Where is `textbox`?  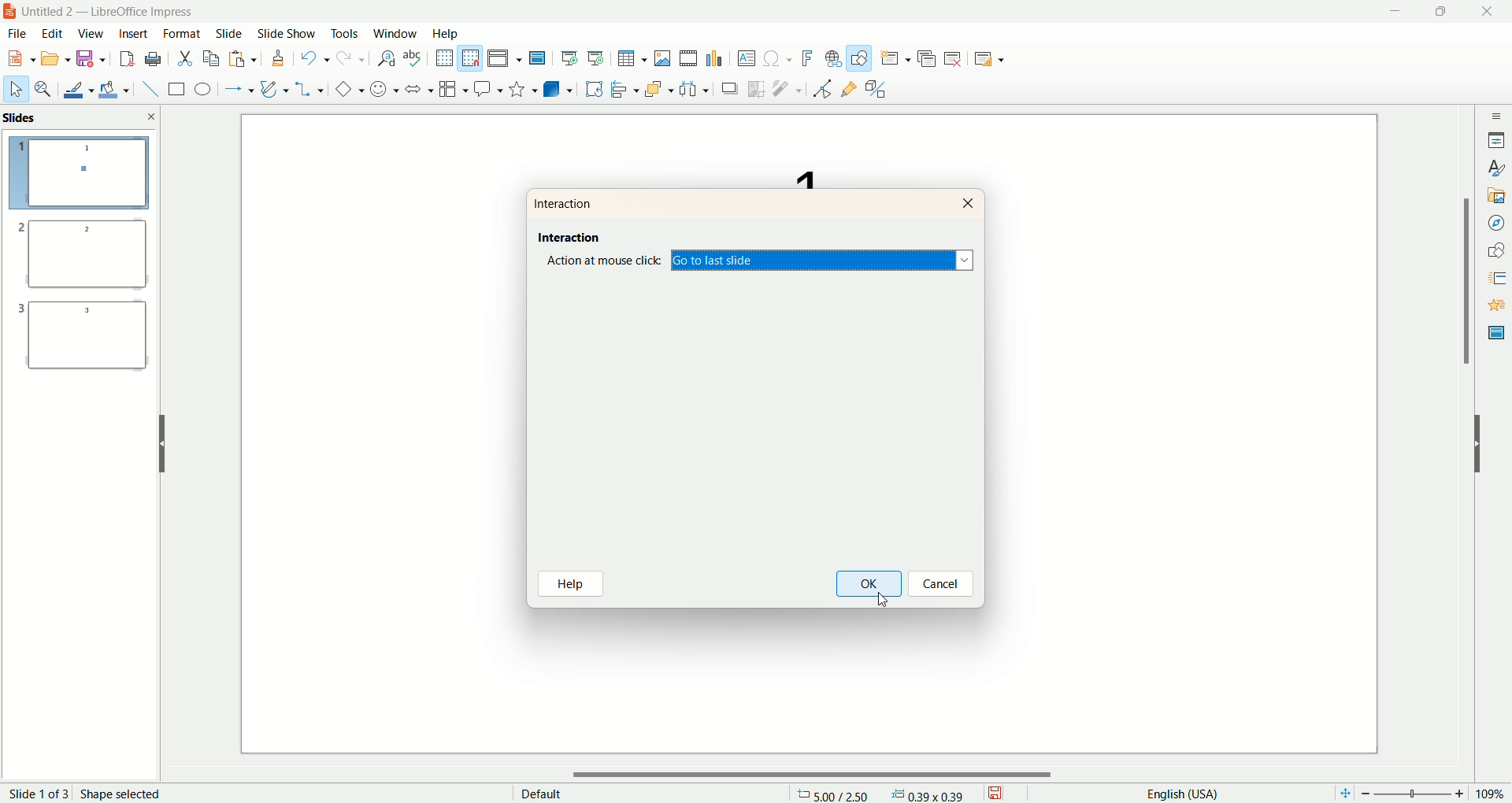 textbox is located at coordinates (746, 58).